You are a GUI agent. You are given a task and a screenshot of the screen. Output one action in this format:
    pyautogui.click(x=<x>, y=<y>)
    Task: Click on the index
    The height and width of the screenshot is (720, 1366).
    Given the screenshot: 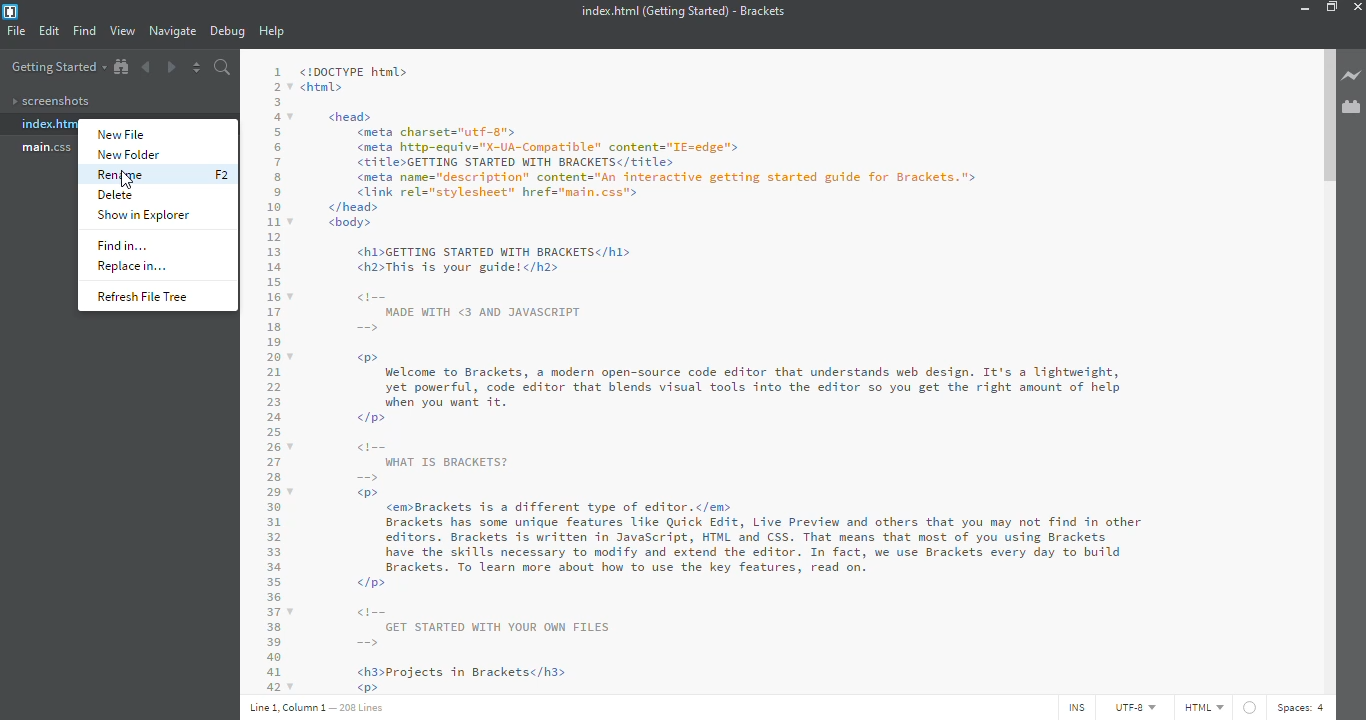 What is the action you would take?
    pyautogui.click(x=49, y=124)
    